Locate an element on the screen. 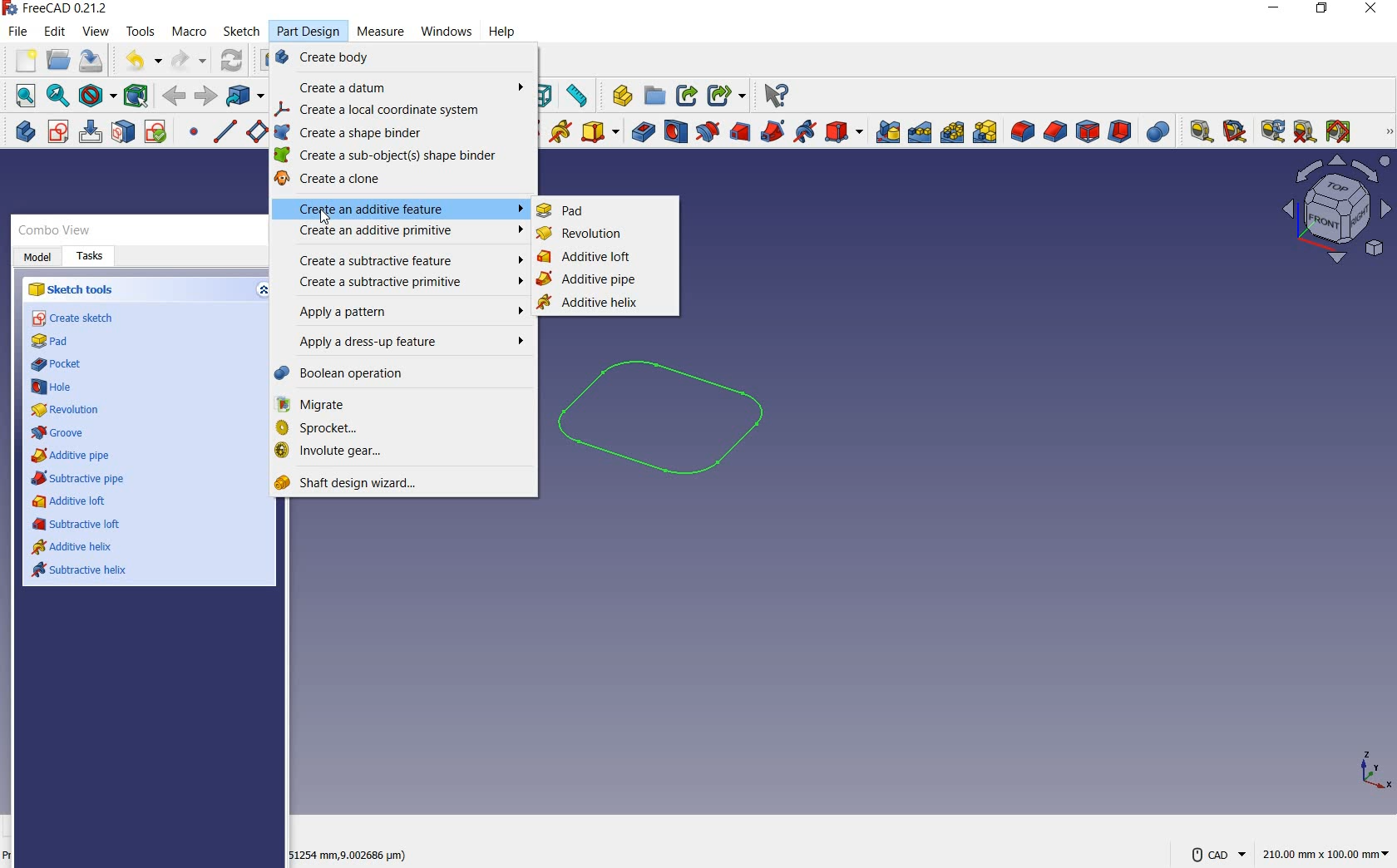 The width and height of the screenshot is (1397, 868). redo is located at coordinates (190, 60).